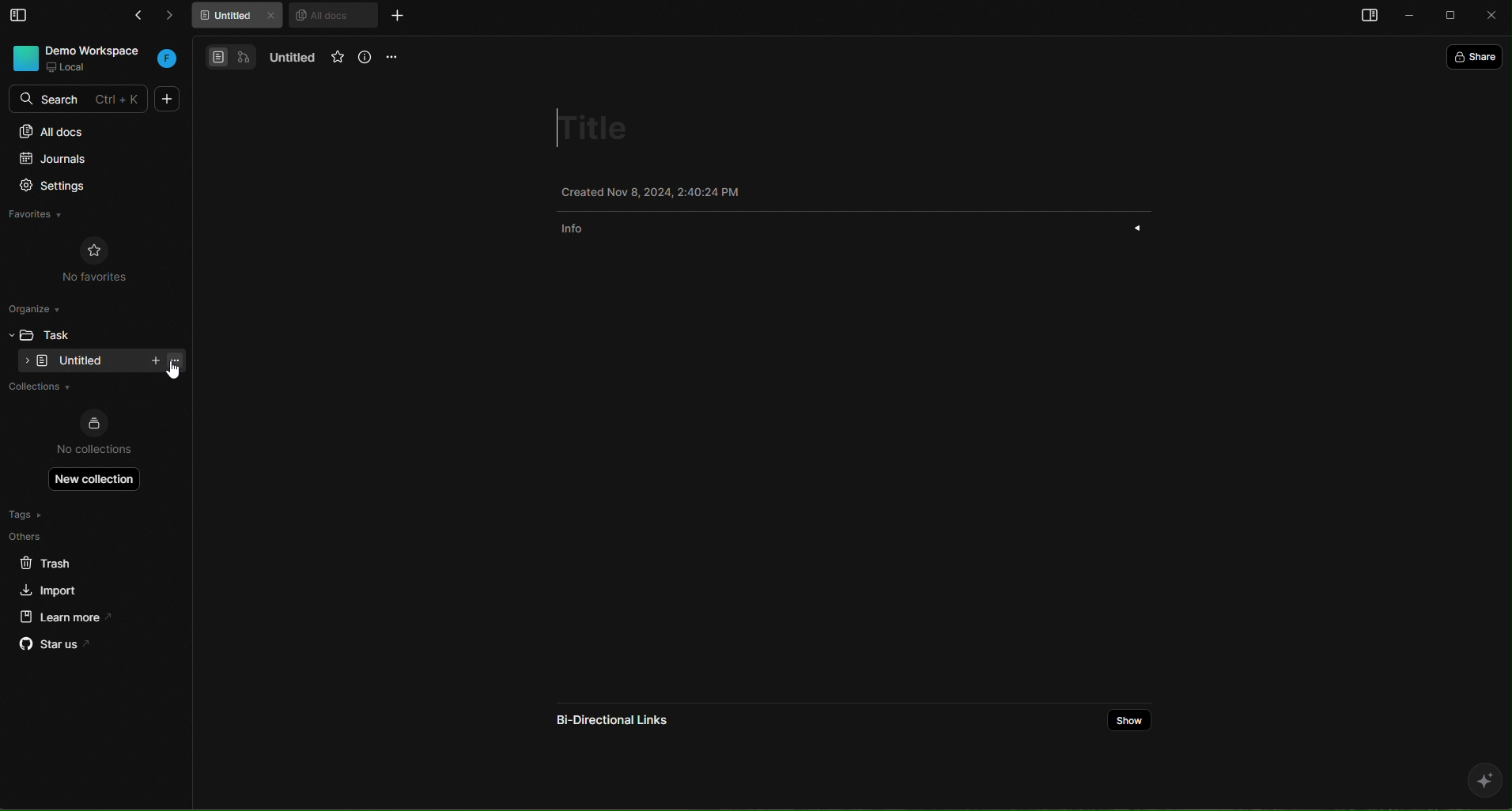 Image resolution: width=1512 pixels, height=811 pixels. I want to click on share, so click(1478, 55).